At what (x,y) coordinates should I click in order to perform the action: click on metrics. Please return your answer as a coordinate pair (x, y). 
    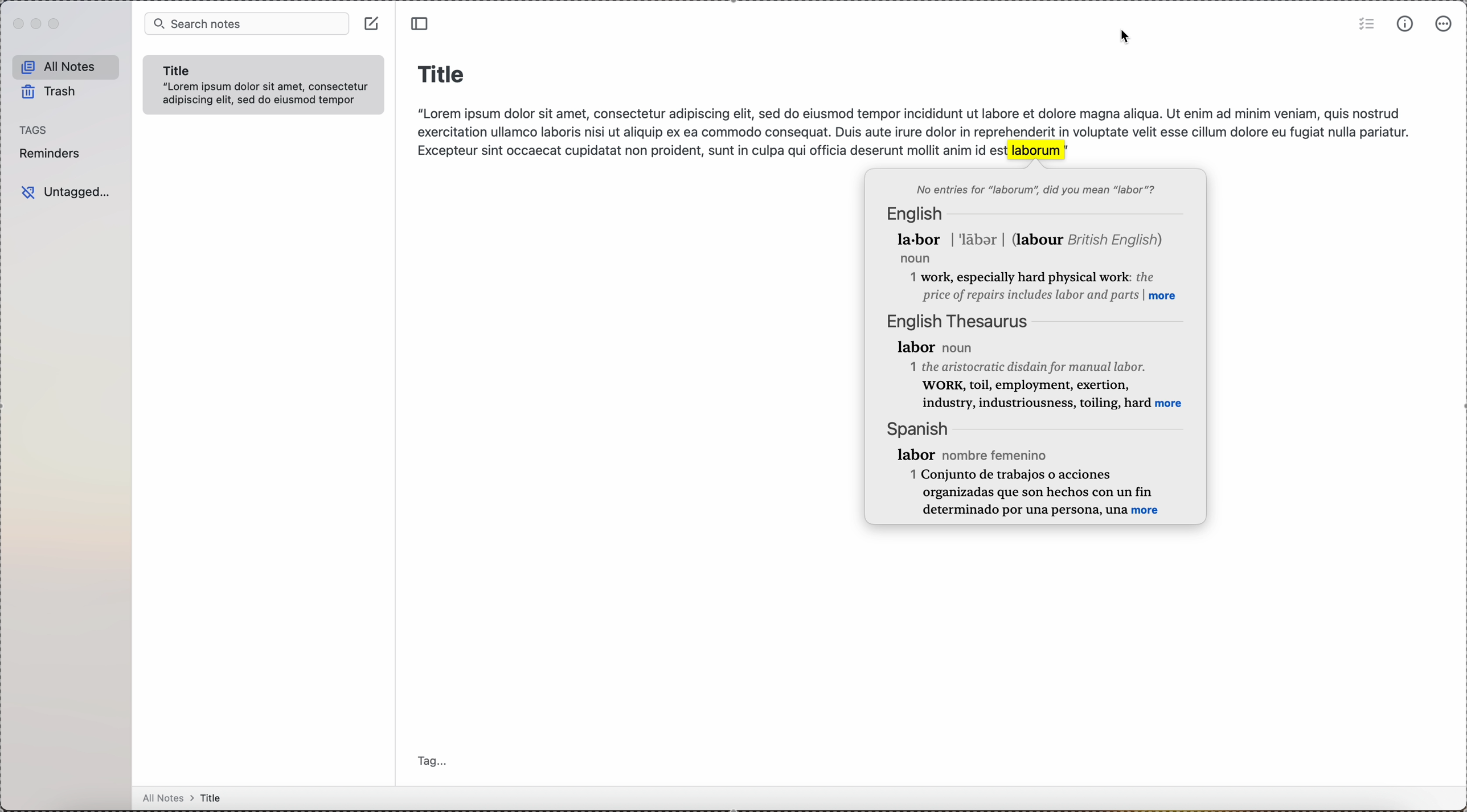
    Looking at the image, I should click on (1405, 24).